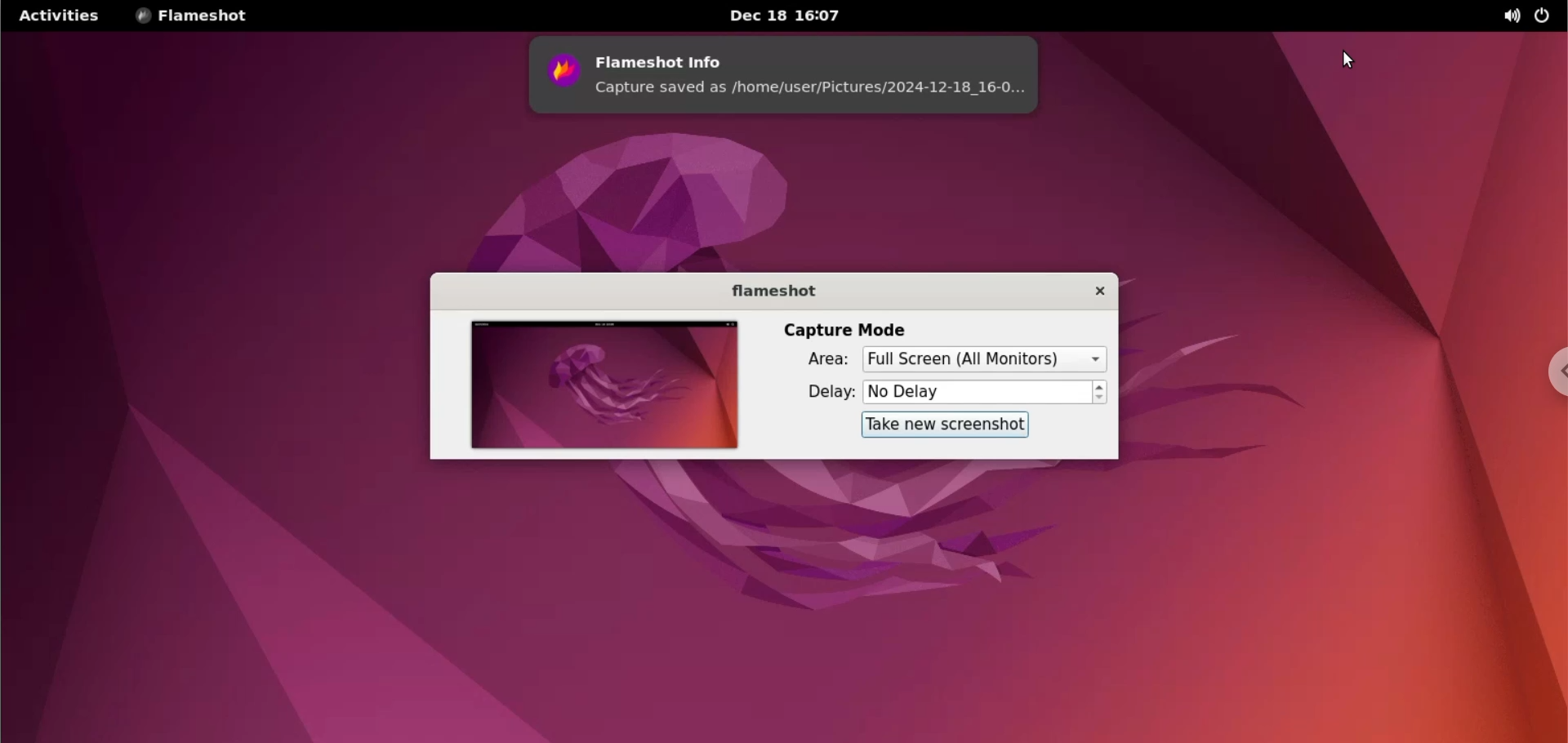  I want to click on take screenshot, so click(944, 425).